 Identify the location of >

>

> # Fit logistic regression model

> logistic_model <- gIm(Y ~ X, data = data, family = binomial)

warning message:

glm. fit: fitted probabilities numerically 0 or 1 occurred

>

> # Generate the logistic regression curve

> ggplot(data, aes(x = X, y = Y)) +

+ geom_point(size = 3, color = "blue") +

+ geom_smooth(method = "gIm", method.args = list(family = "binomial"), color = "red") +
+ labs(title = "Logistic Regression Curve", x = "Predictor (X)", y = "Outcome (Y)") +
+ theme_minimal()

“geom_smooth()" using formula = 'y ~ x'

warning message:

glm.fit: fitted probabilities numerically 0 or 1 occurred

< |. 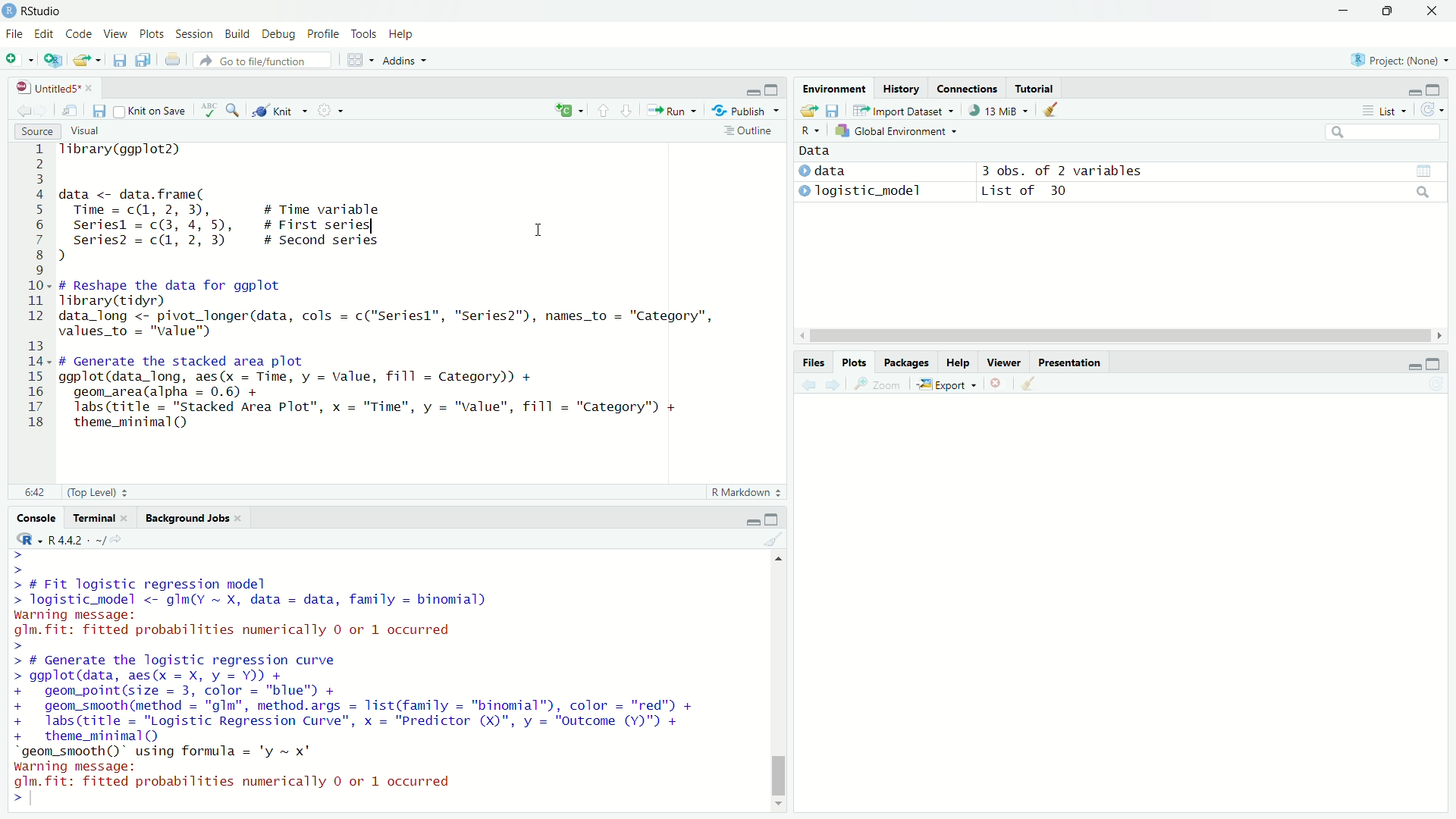
(372, 679).